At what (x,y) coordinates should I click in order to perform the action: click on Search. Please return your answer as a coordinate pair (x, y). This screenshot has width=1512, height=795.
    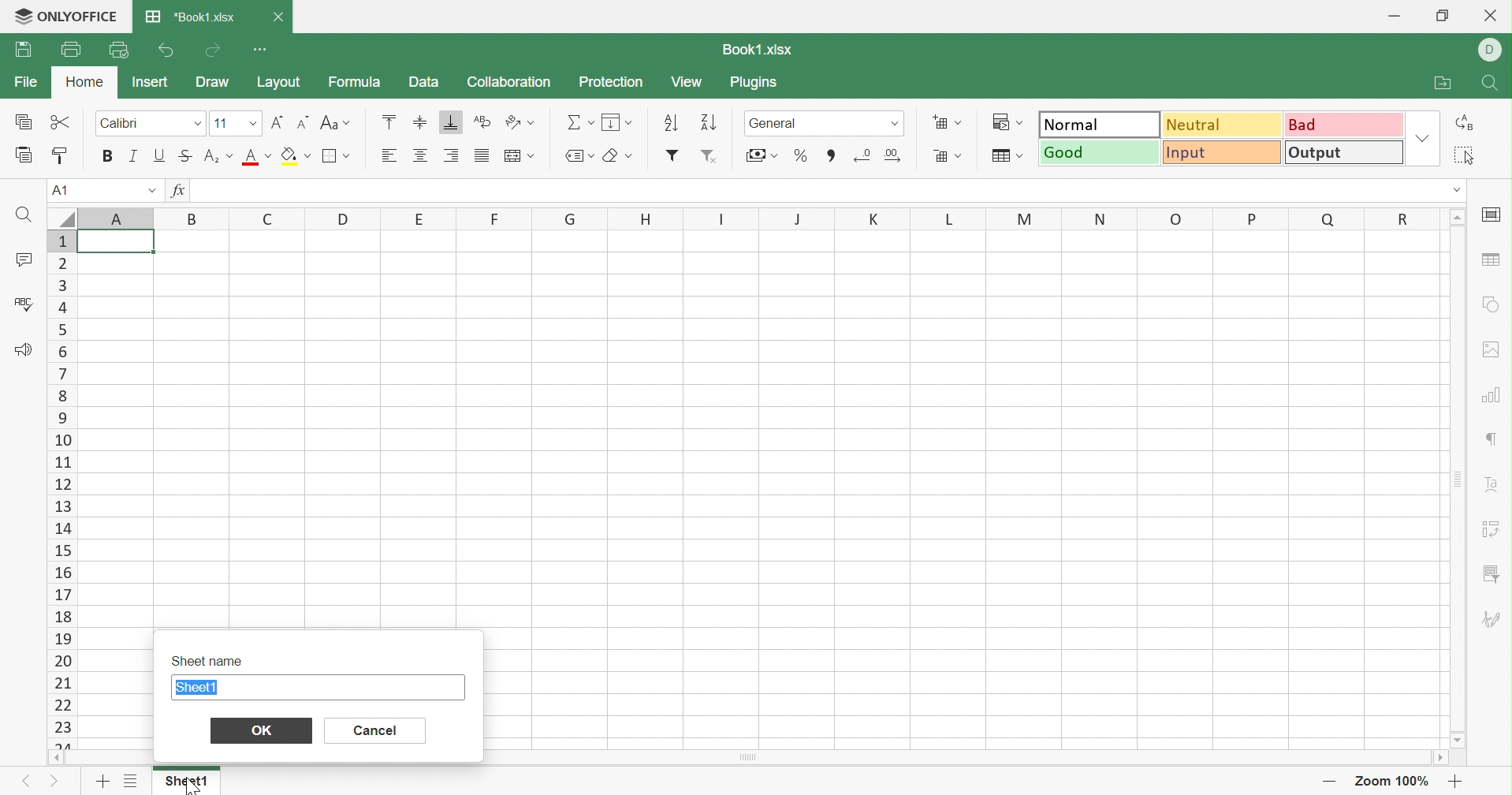
    Looking at the image, I should click on (1493, 82).